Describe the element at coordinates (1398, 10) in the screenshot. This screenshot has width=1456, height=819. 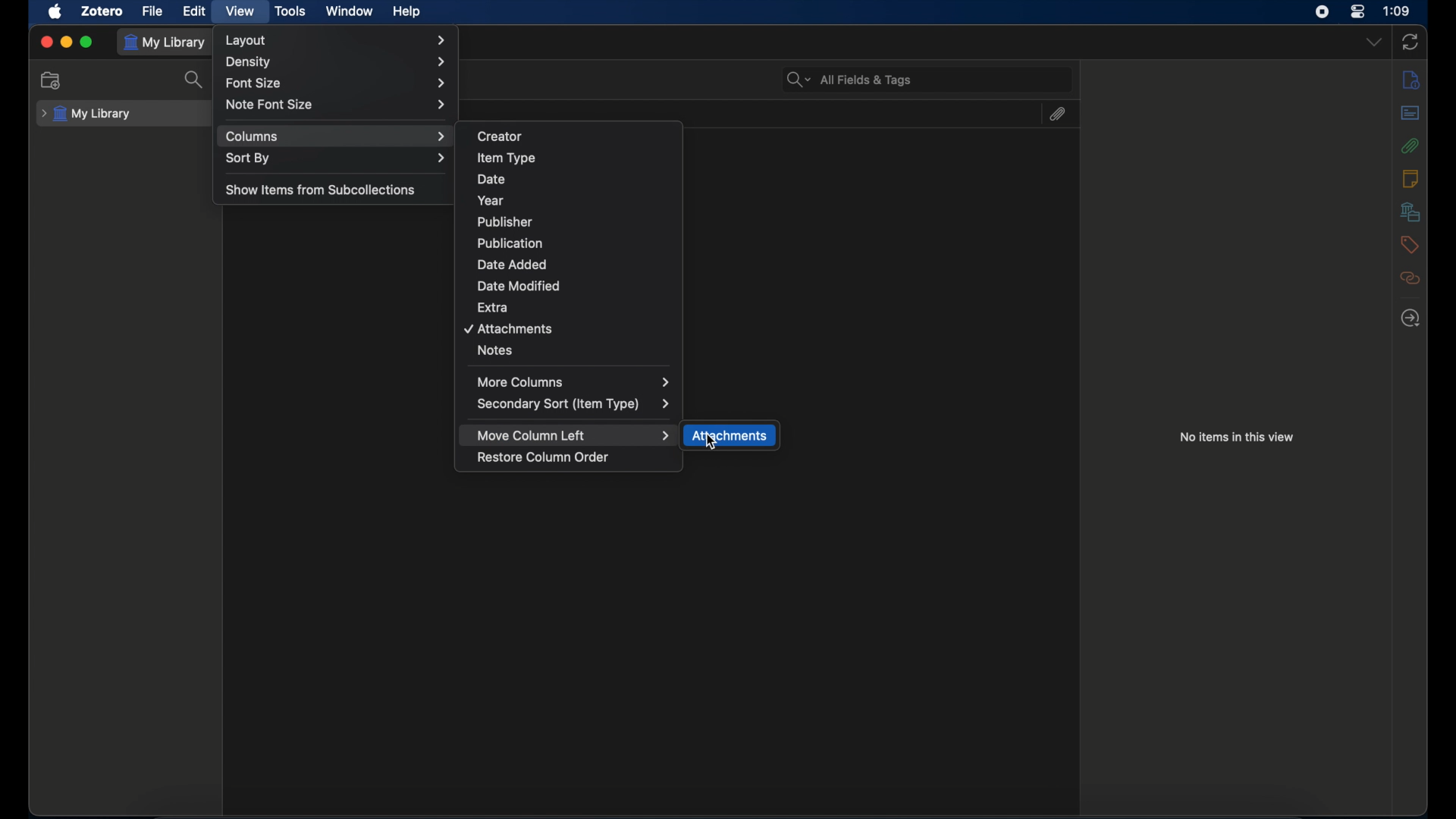
I see `time` at that location.